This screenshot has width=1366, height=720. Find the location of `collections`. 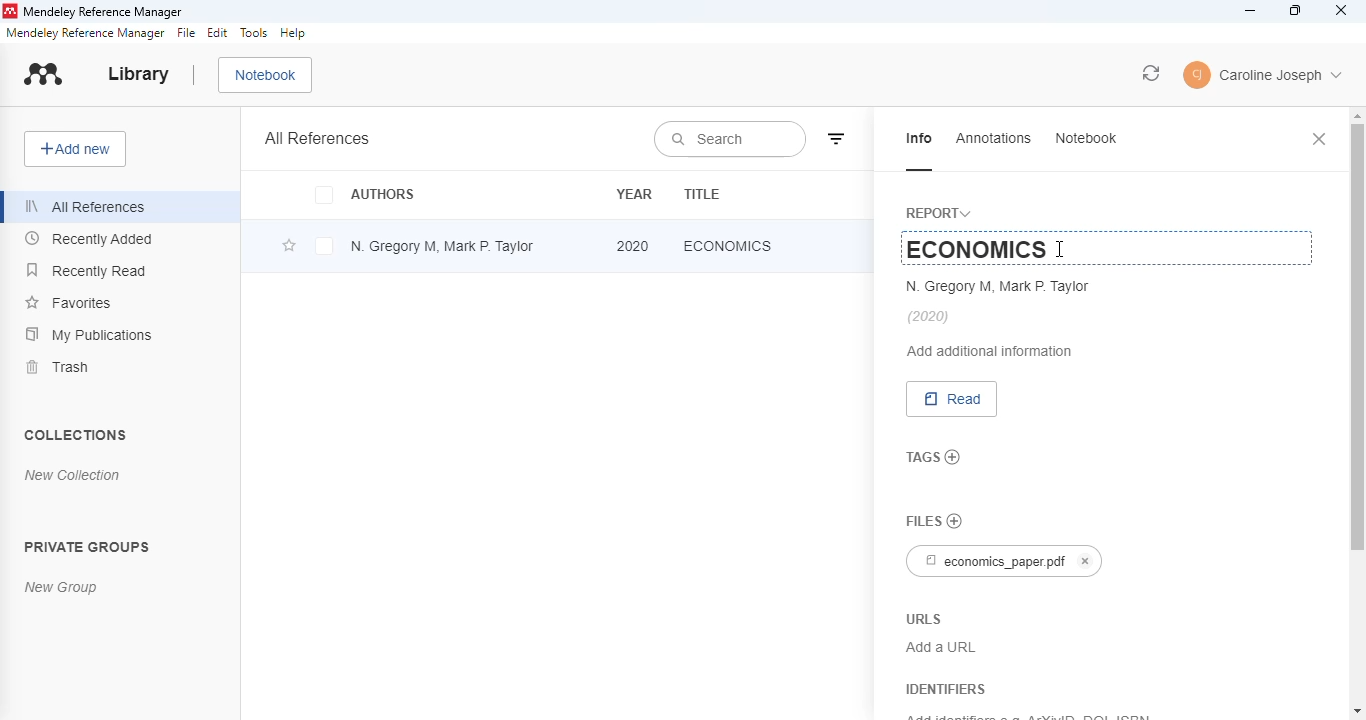

collections is located at coordinates (77, 434).